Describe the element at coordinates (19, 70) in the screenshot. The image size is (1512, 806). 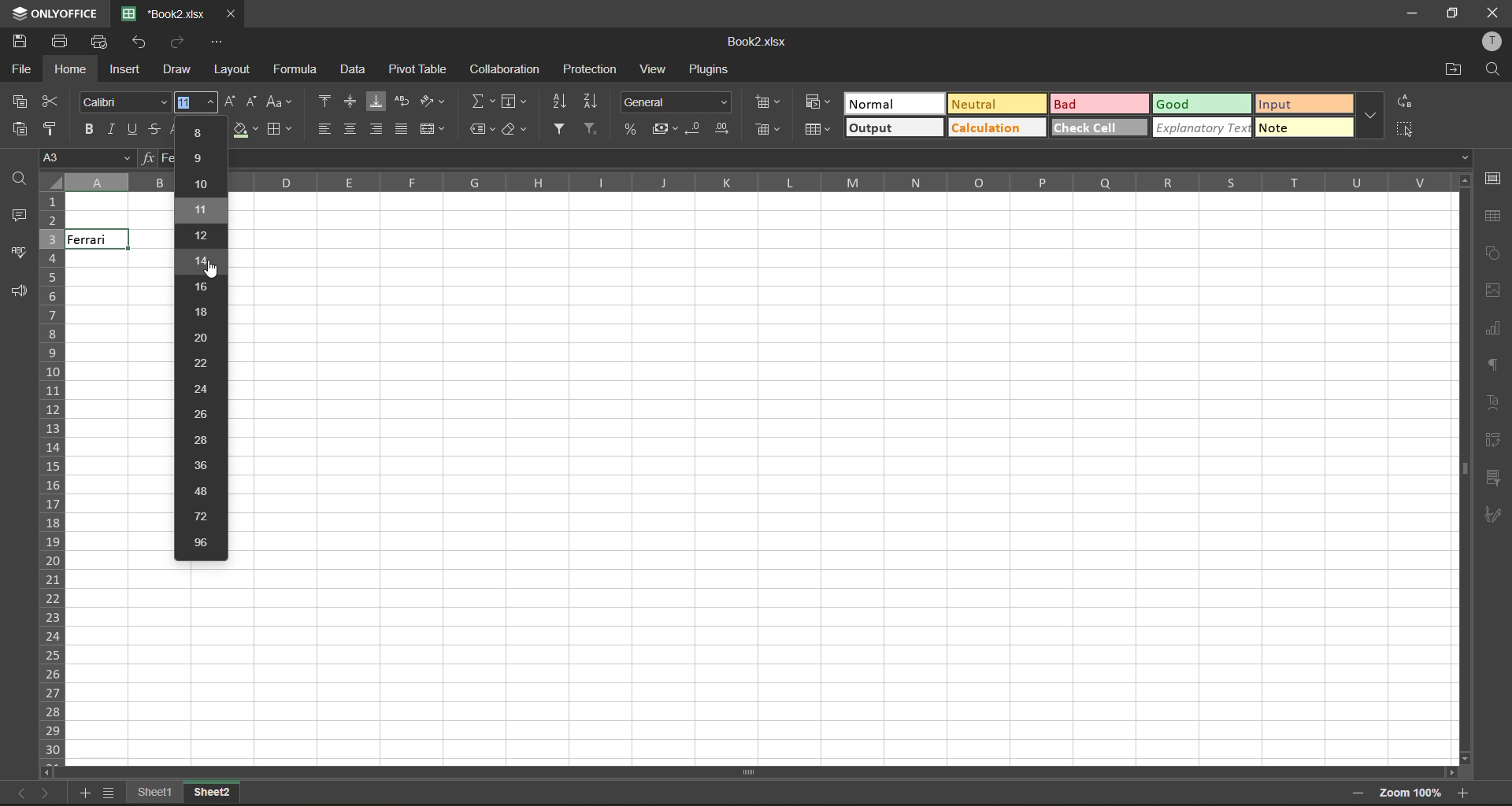
I see `file` at that location.